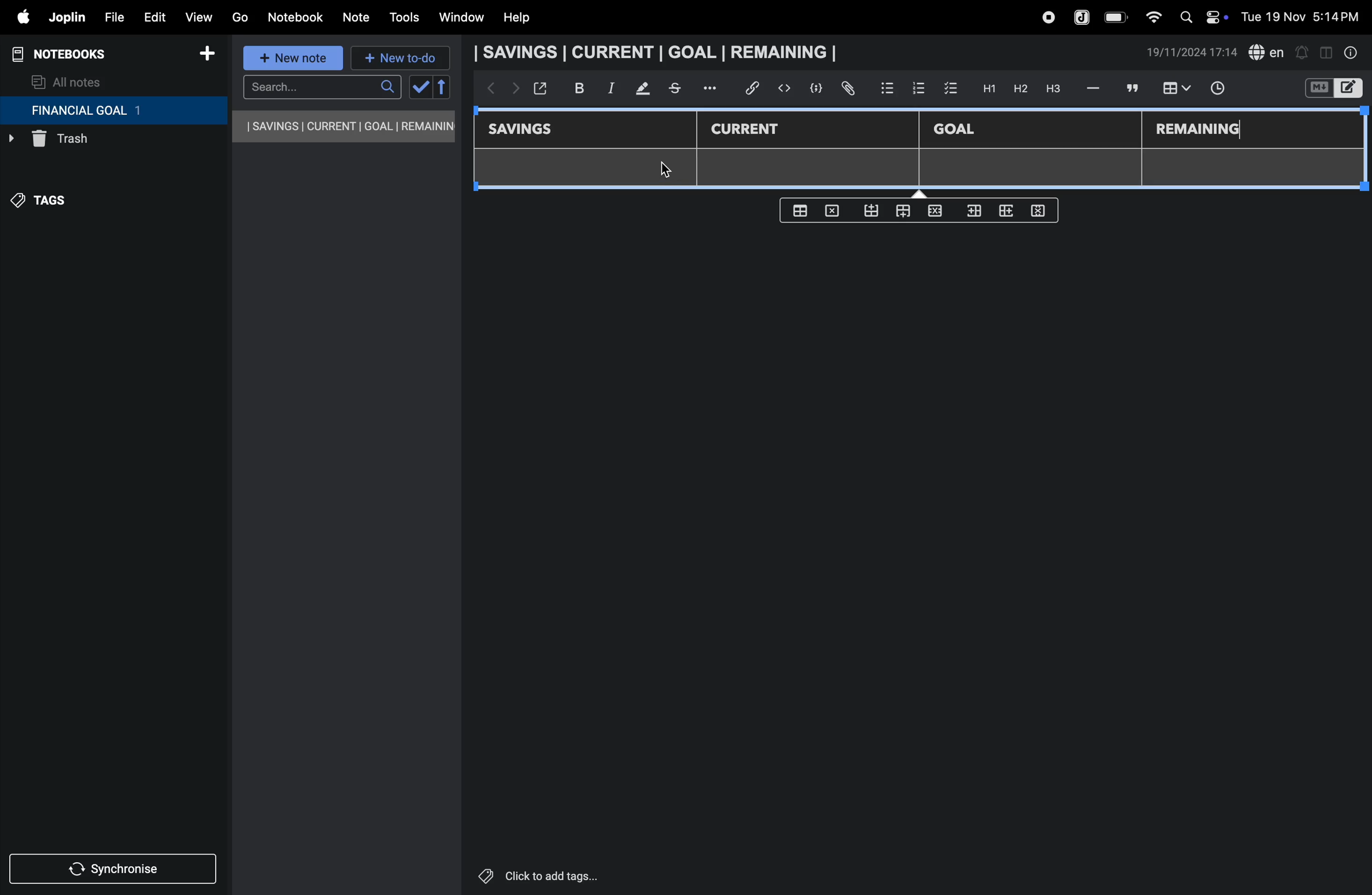 This screenshot has height=895, width=1372. I want to click on go, so click(240, 16).